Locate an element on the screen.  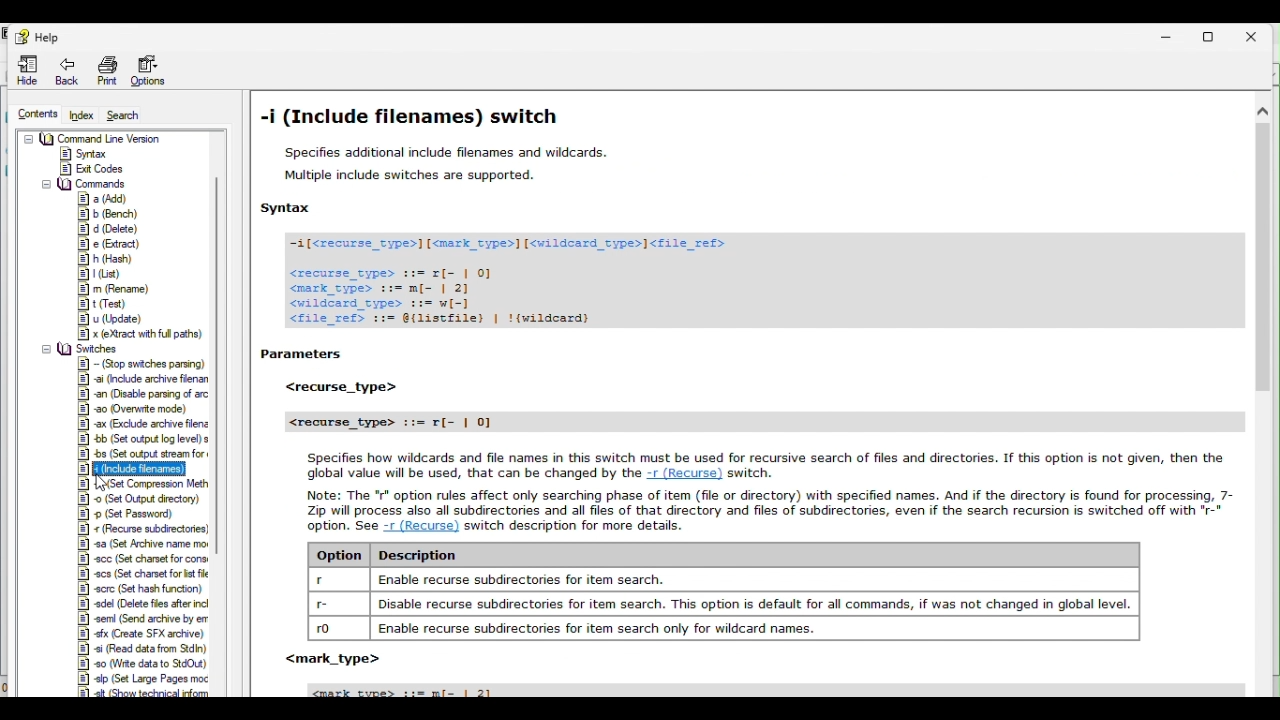
Bench is located at coordinates (107, 215).